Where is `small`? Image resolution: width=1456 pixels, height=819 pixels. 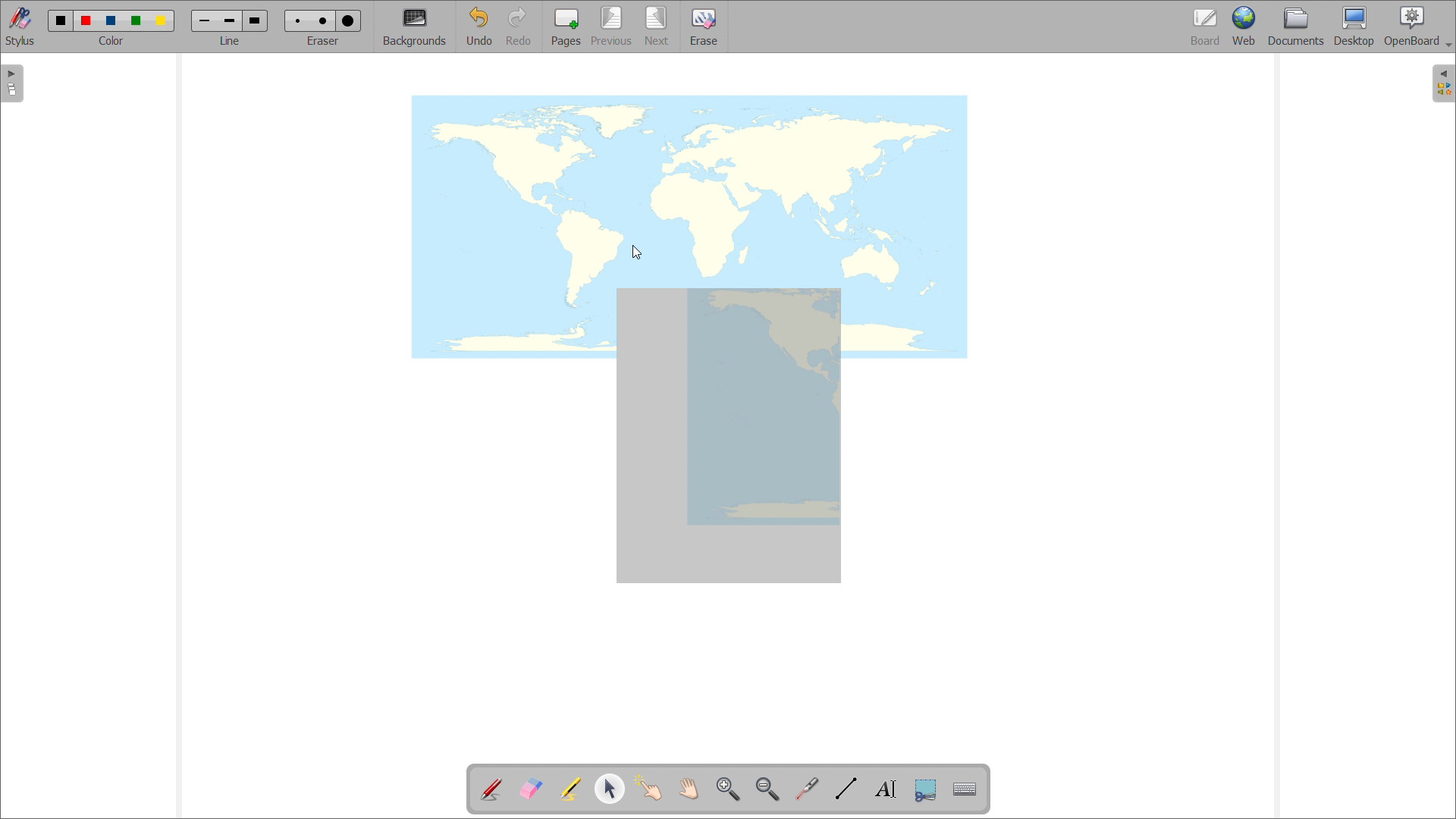
small is located at coordinates (205, 20).